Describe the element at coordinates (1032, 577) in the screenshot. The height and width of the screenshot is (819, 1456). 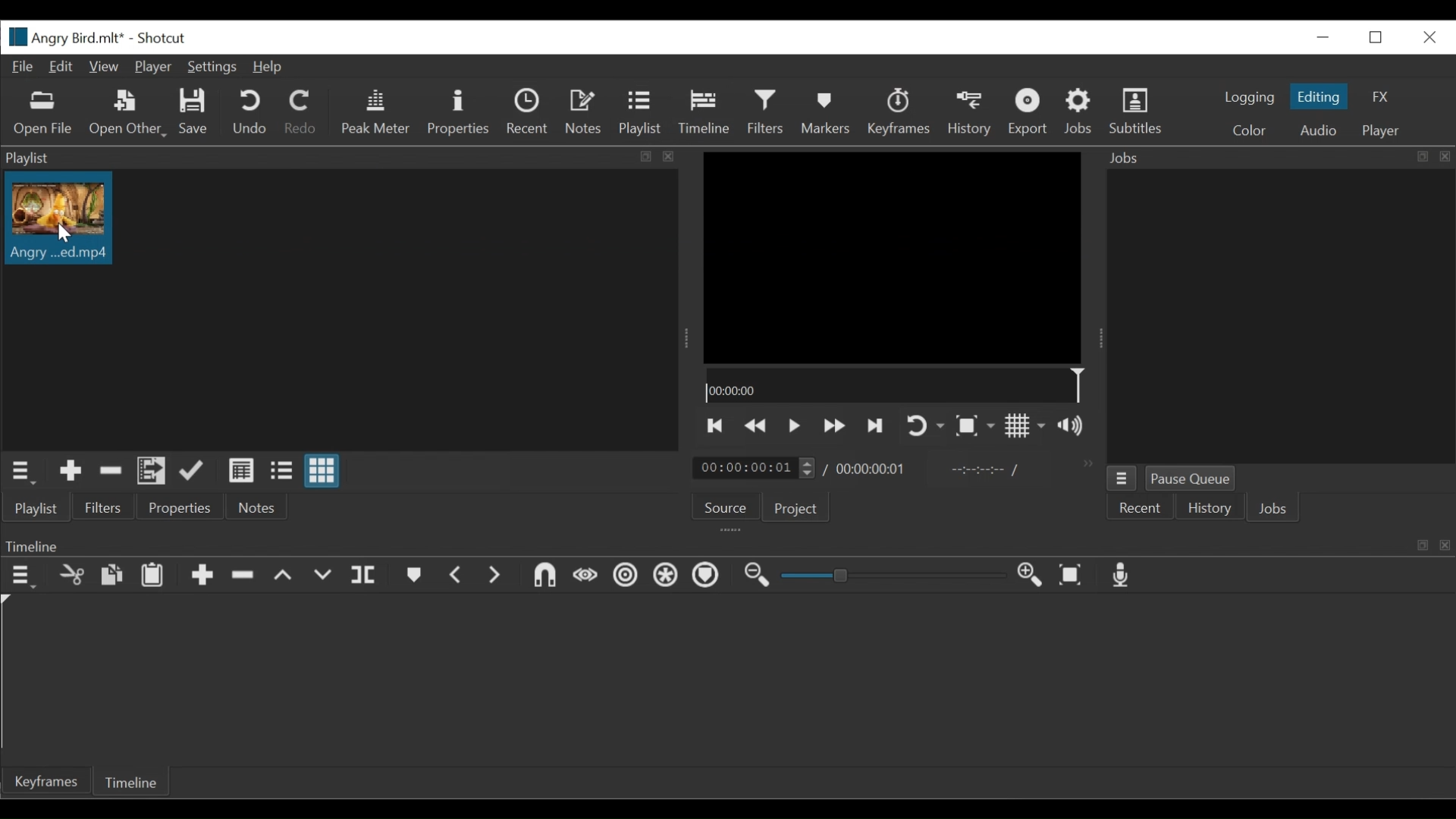
I see `Zoom timeline in` at that location.